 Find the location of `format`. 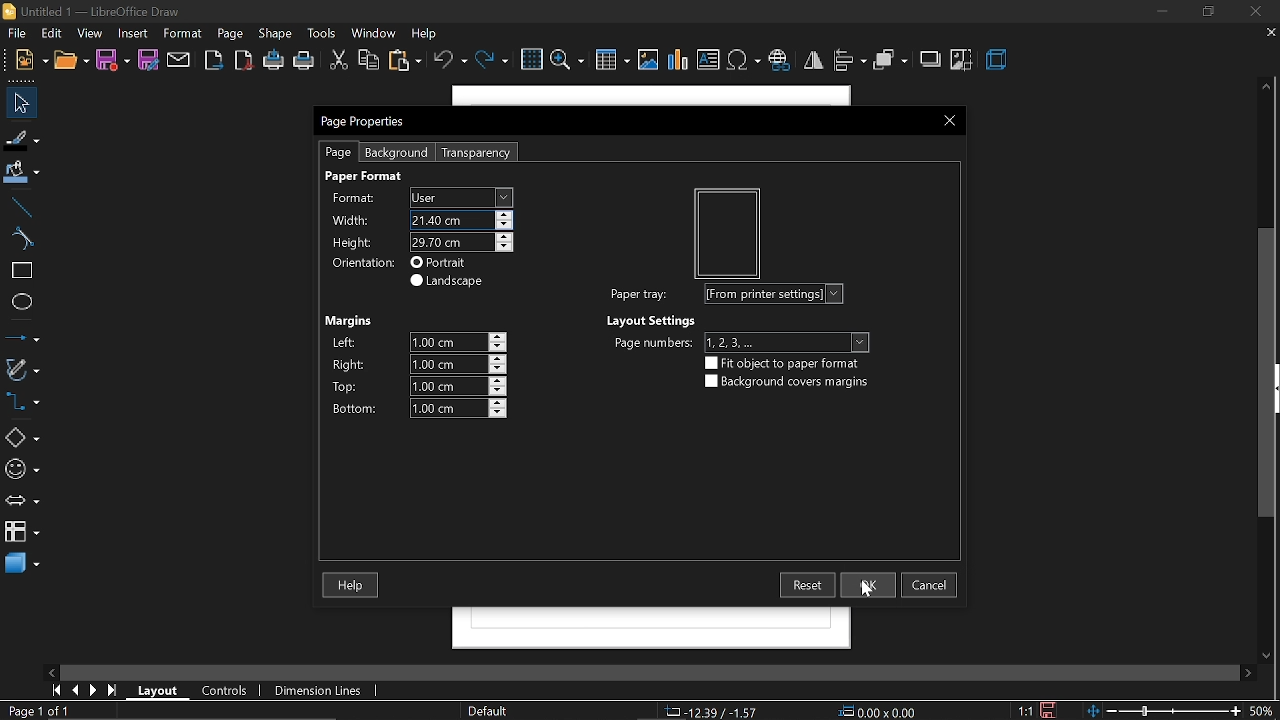

format is located at coordinates (353, 196).